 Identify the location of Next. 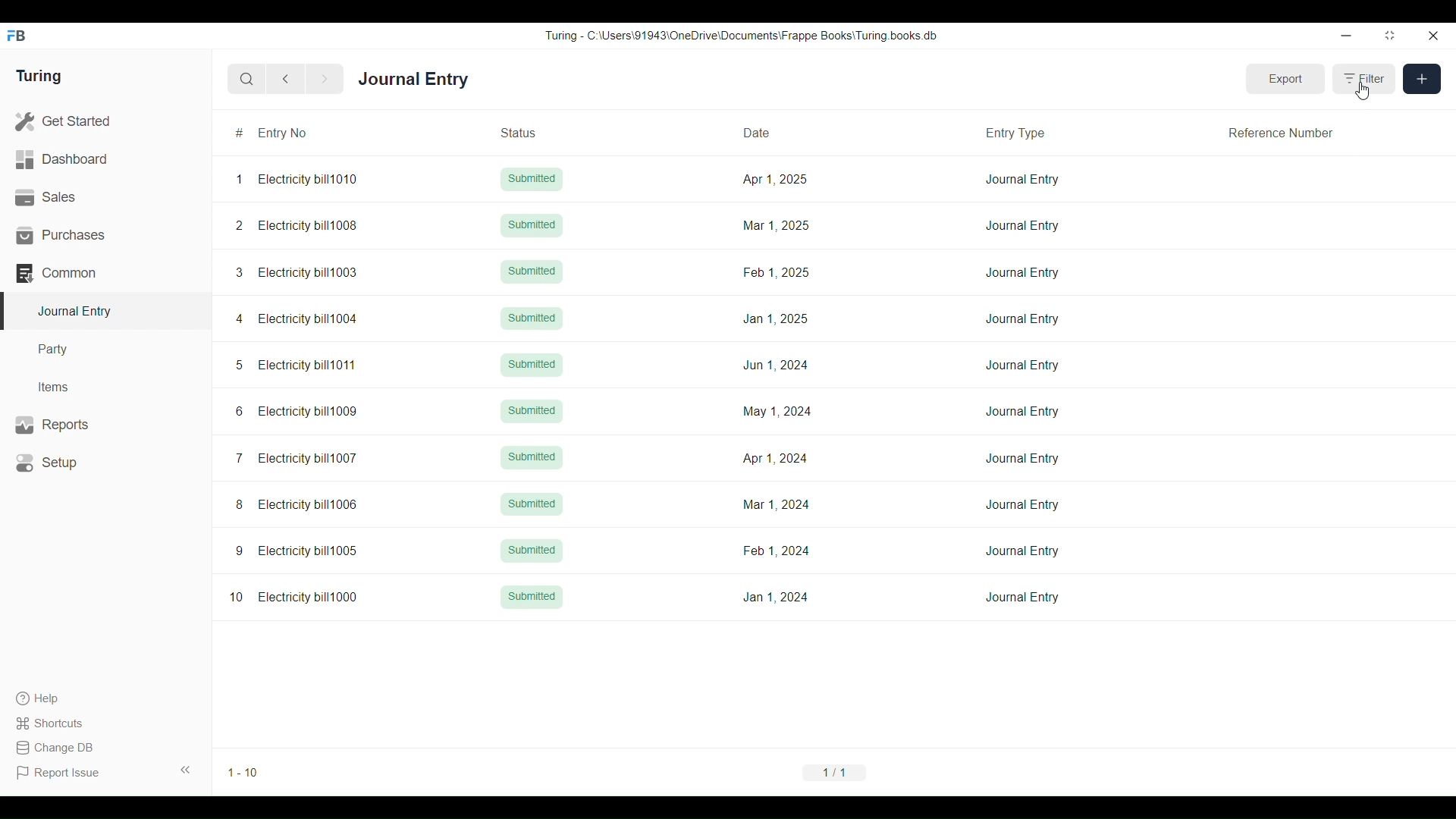
(325, 80).